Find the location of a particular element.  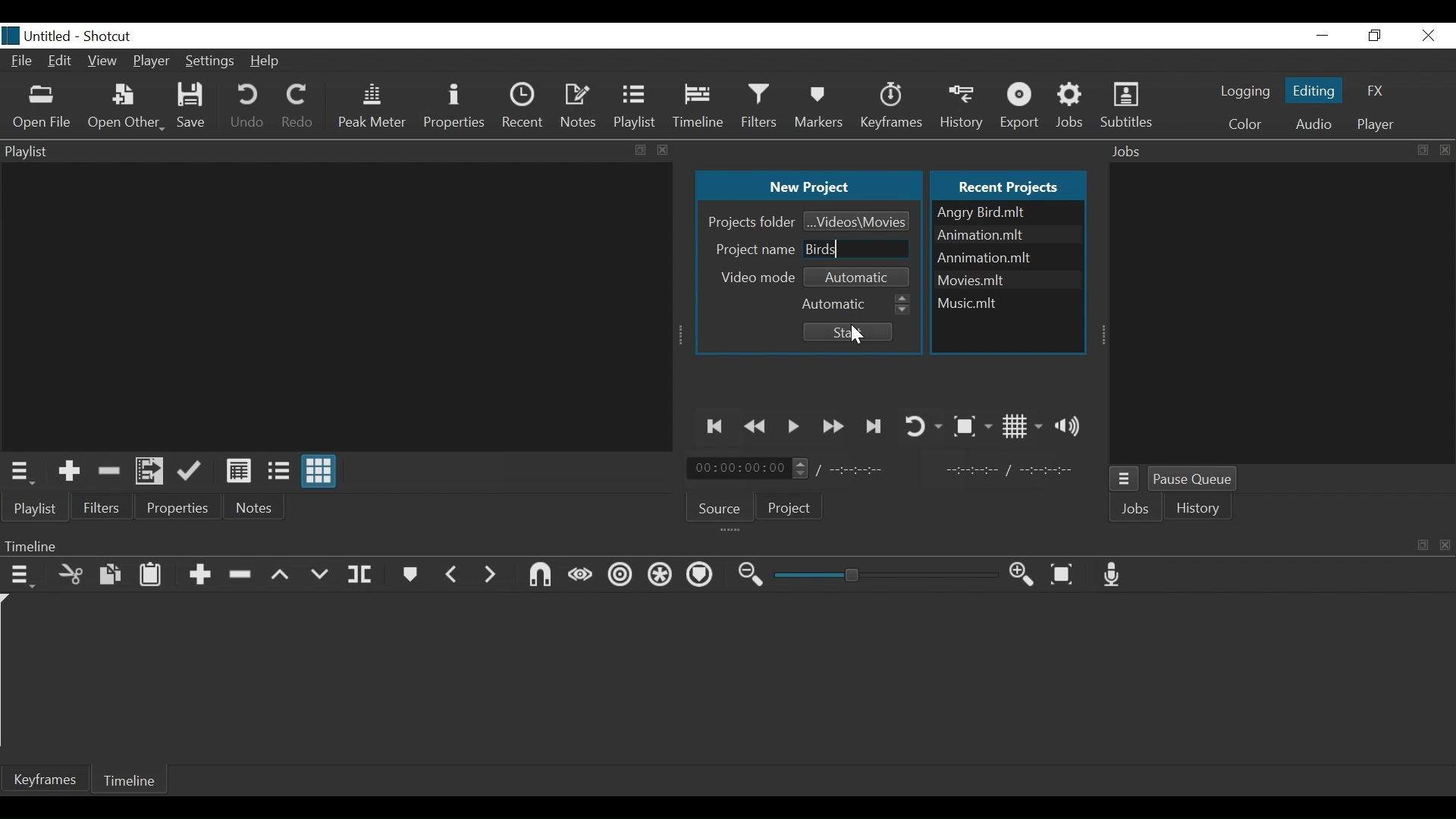

Notes is located at coordinates (256, 507).